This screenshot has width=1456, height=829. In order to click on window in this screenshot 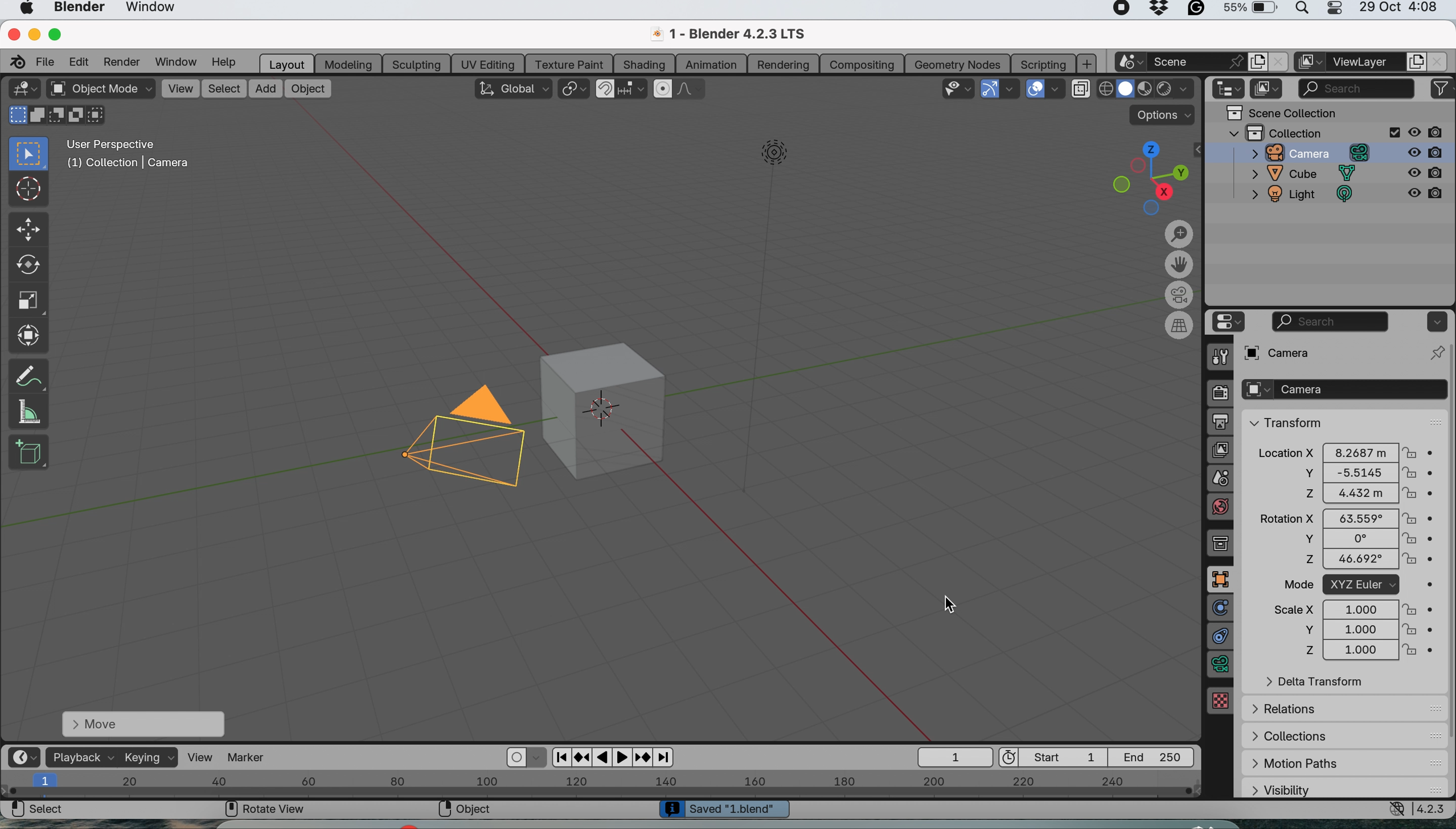, I will do `click(151, 9)`.